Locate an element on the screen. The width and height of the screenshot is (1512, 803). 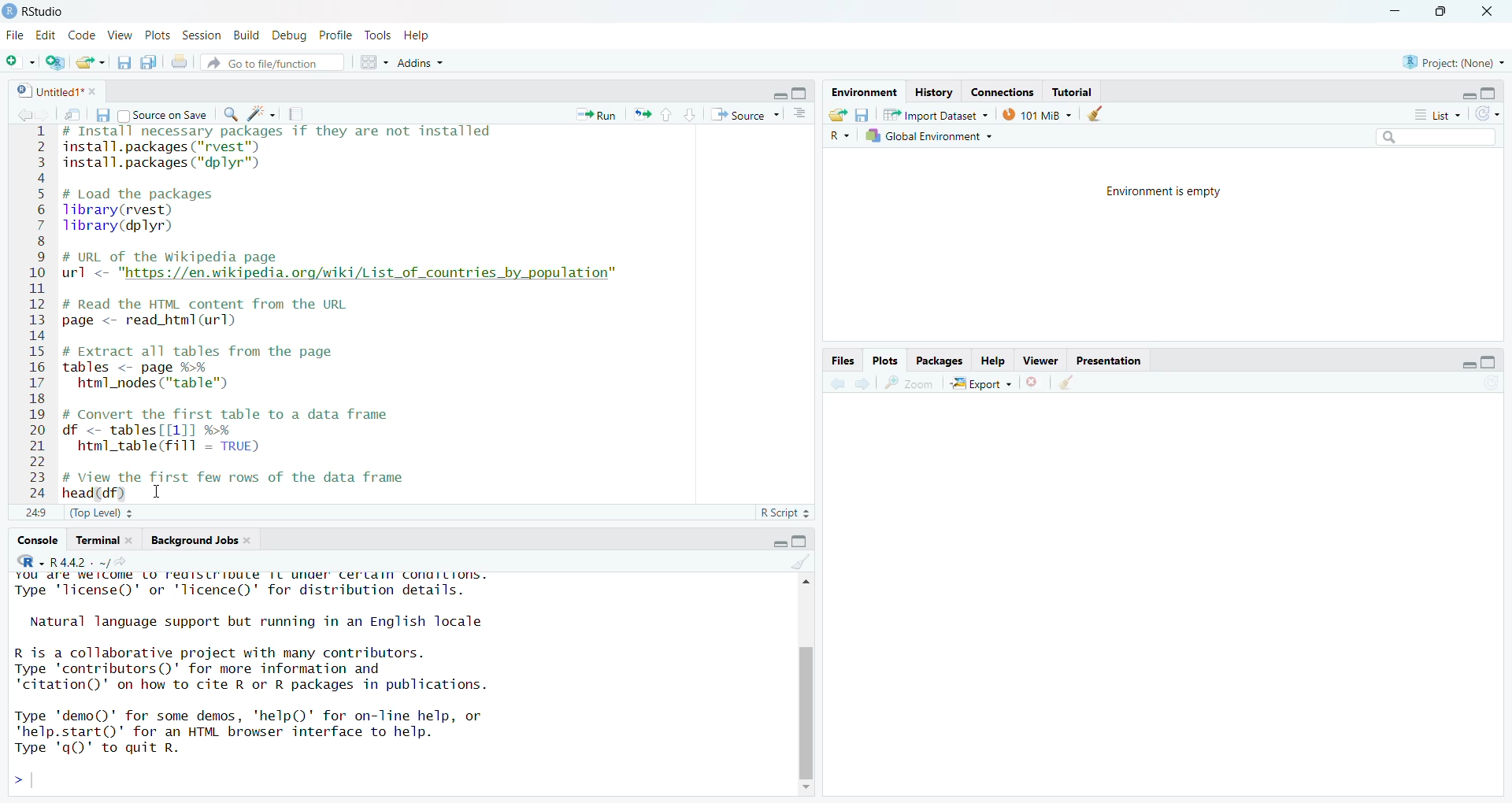
options is located at coordinates (376, 62).